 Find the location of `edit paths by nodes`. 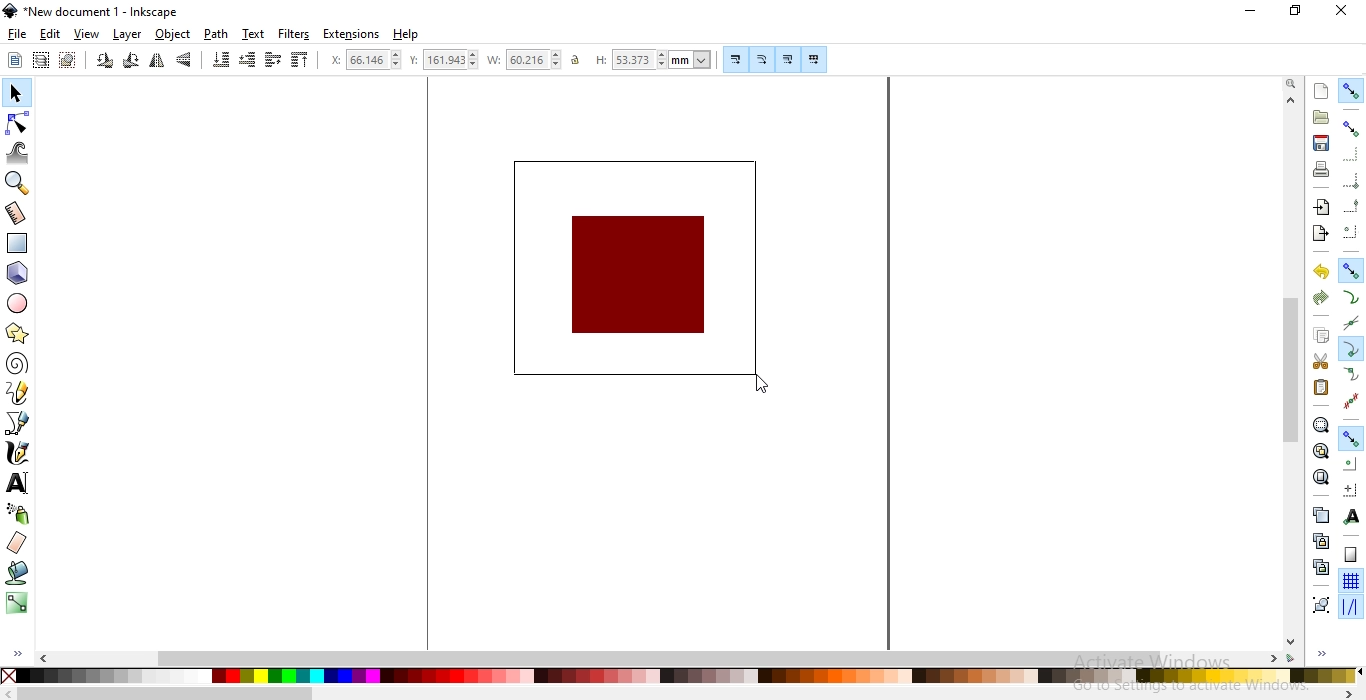

edit paths by nodes is located at coordinates (18, 122).